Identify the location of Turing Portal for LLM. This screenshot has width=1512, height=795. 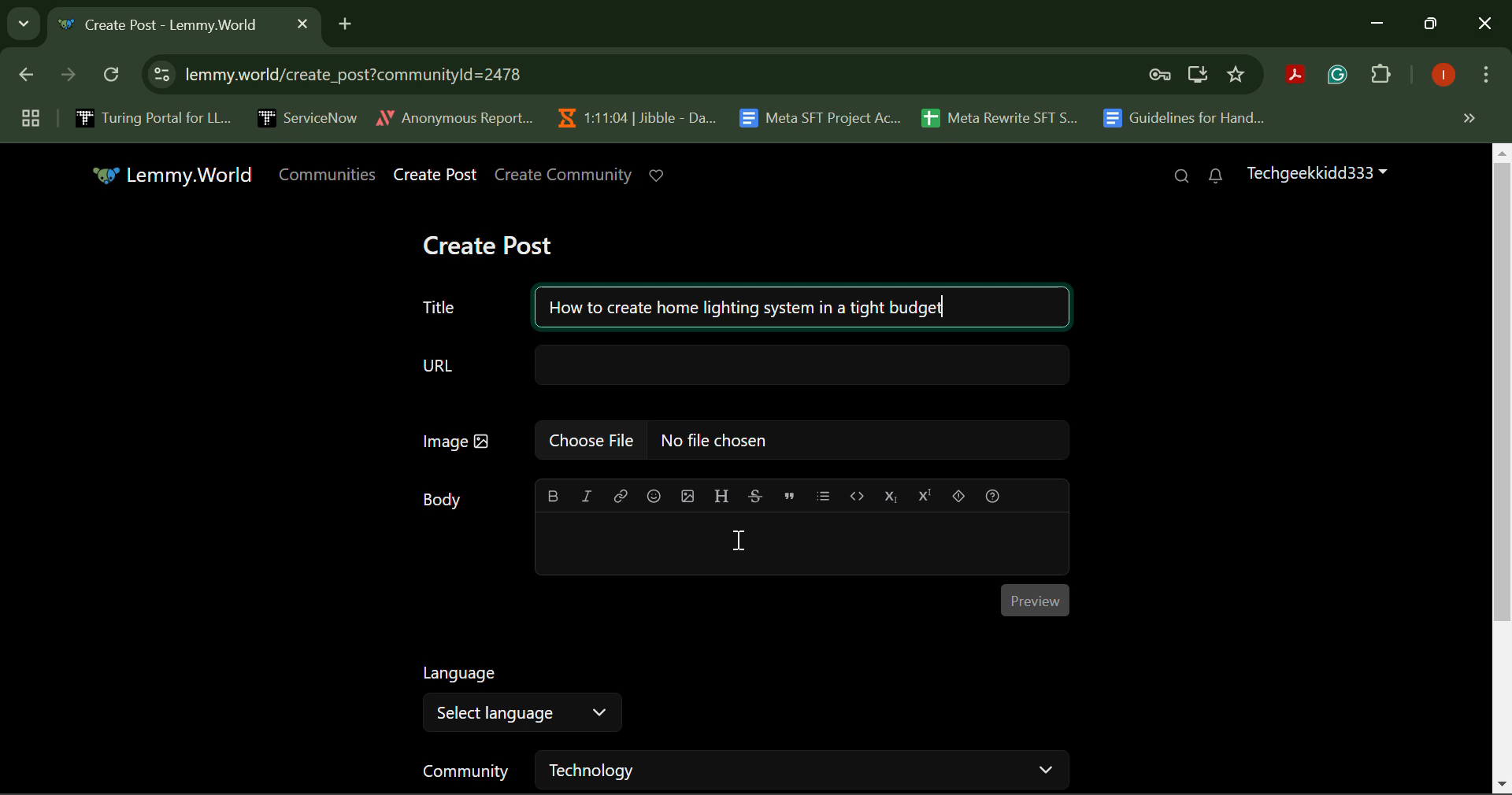
(150, 117).